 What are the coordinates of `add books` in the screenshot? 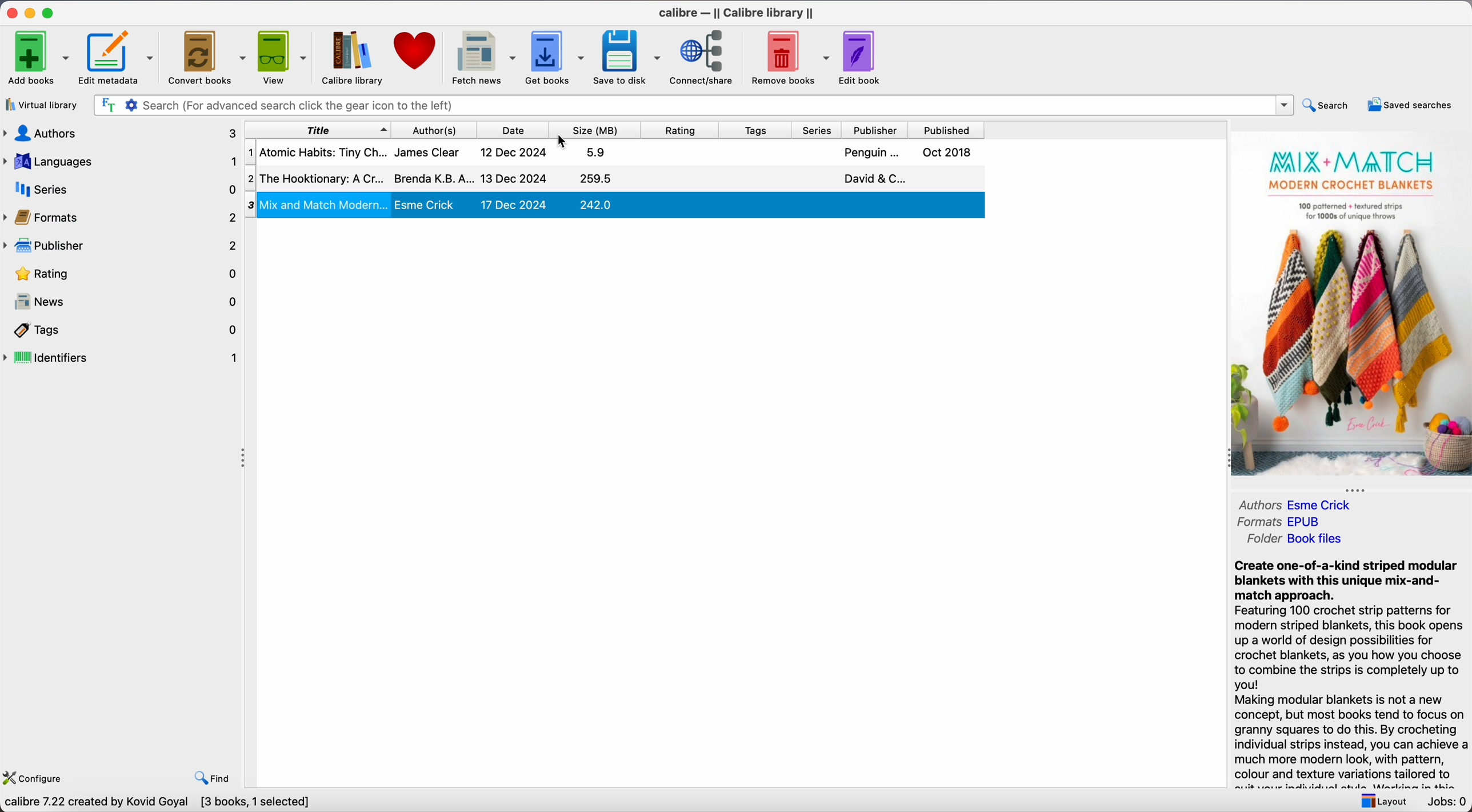 It's located at (38, 56).